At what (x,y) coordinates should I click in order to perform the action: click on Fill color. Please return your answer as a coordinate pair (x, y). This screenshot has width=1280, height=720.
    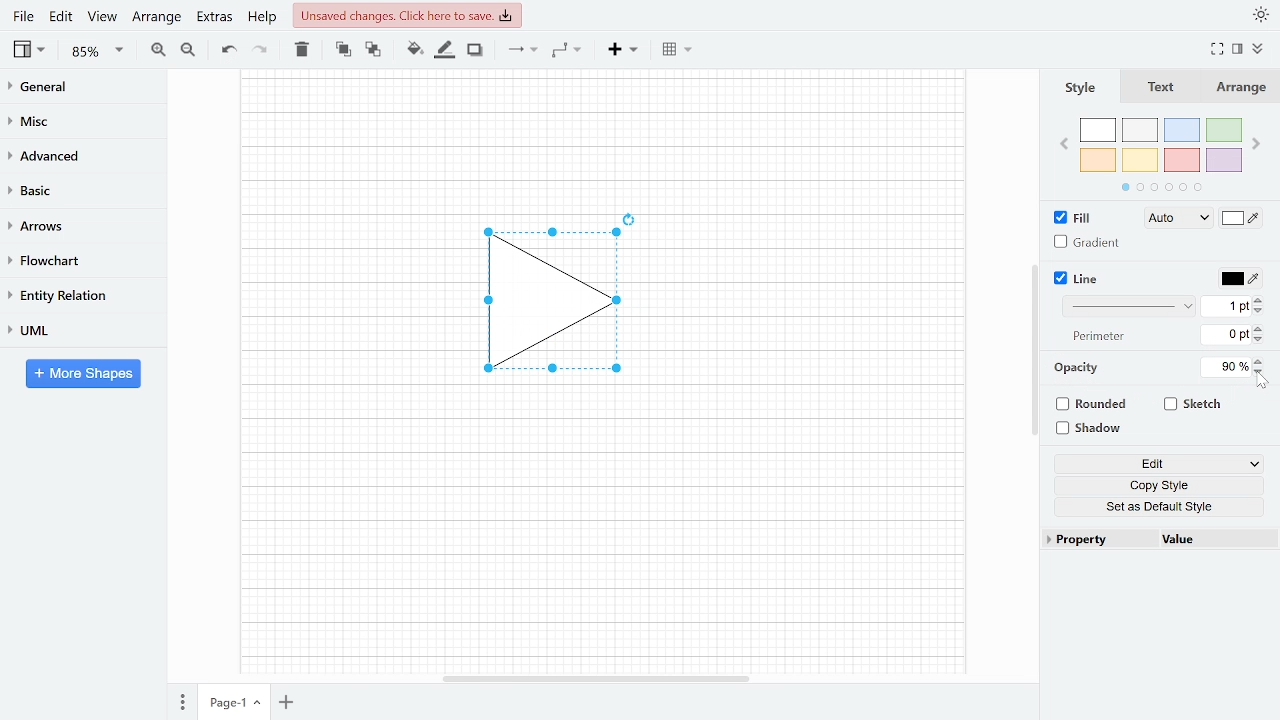
    Looking at the image, I should click on (1242, 220).